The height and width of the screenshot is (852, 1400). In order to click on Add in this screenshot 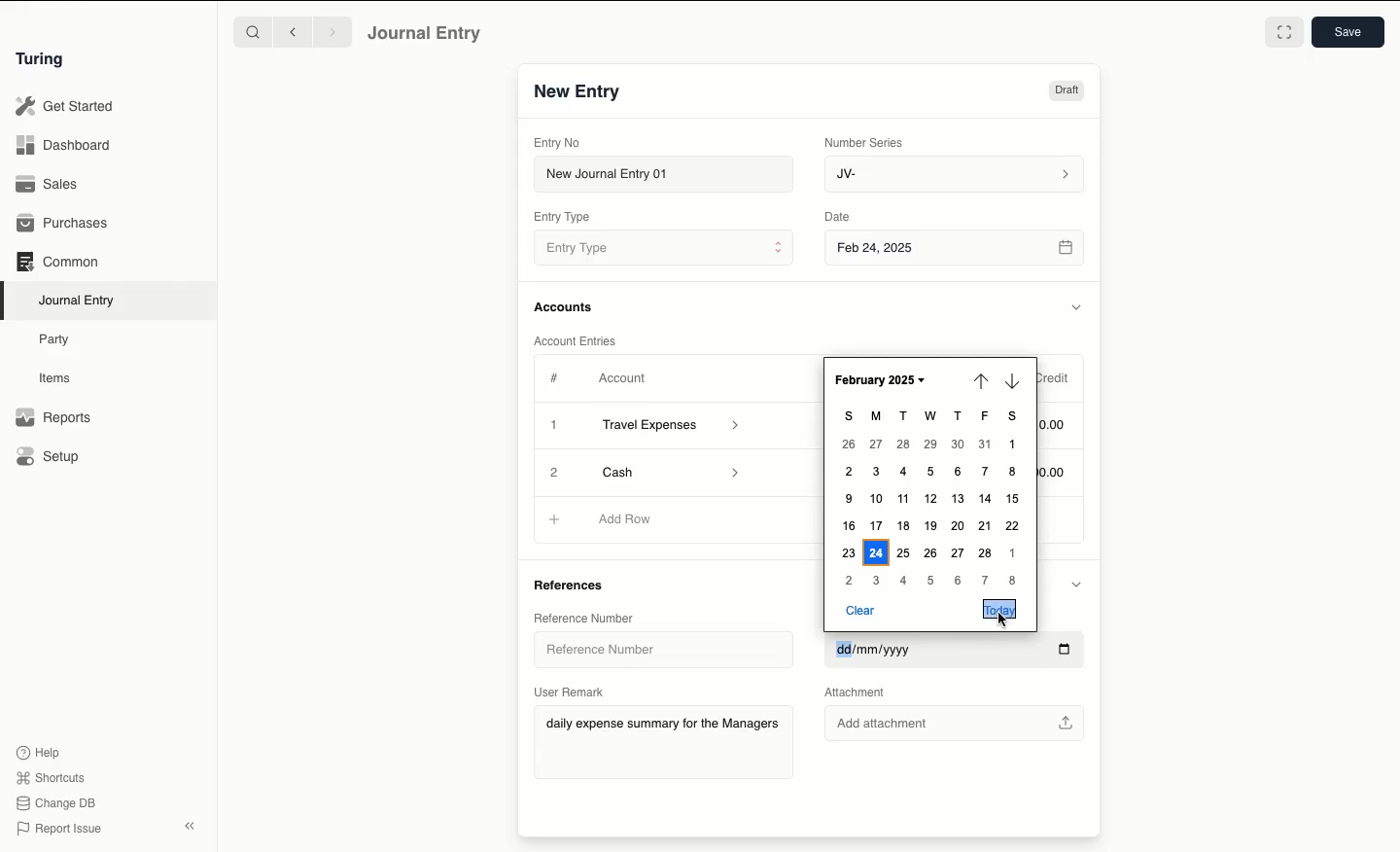, I will do `click(555, 426)`.